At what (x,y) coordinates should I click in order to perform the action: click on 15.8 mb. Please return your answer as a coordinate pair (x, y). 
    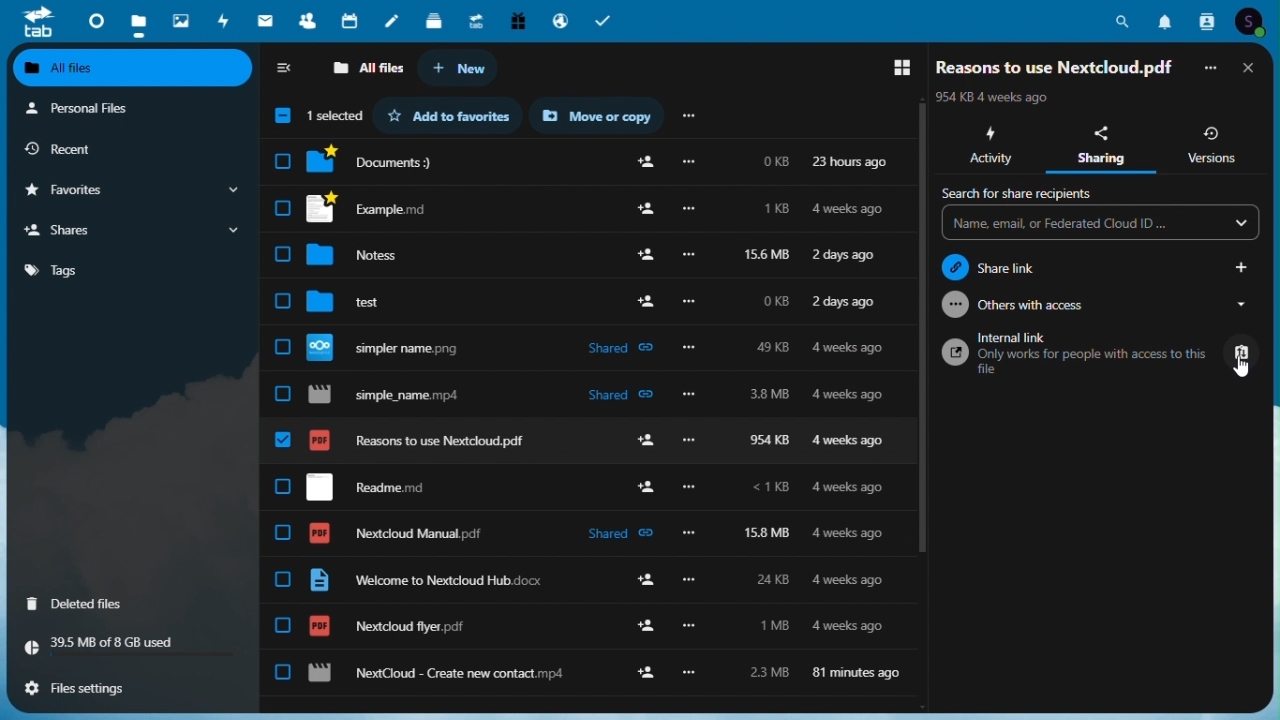
    Looking at the image, I should click on (763, 531).